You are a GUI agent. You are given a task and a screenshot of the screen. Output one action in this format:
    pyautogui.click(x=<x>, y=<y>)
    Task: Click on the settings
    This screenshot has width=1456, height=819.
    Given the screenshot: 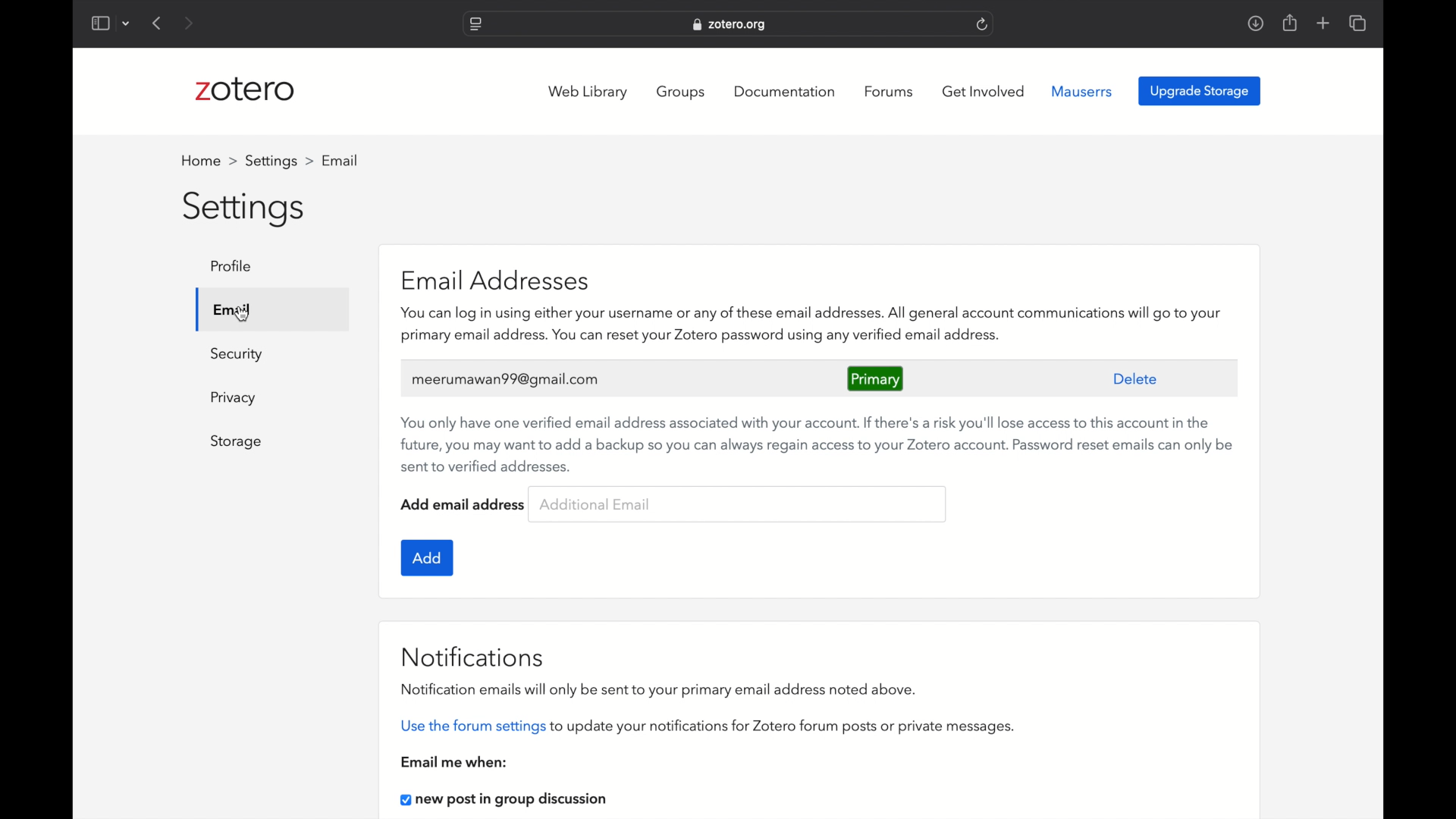 What is the action you would take?
    pyautogui.click(x=279, y=161)
    